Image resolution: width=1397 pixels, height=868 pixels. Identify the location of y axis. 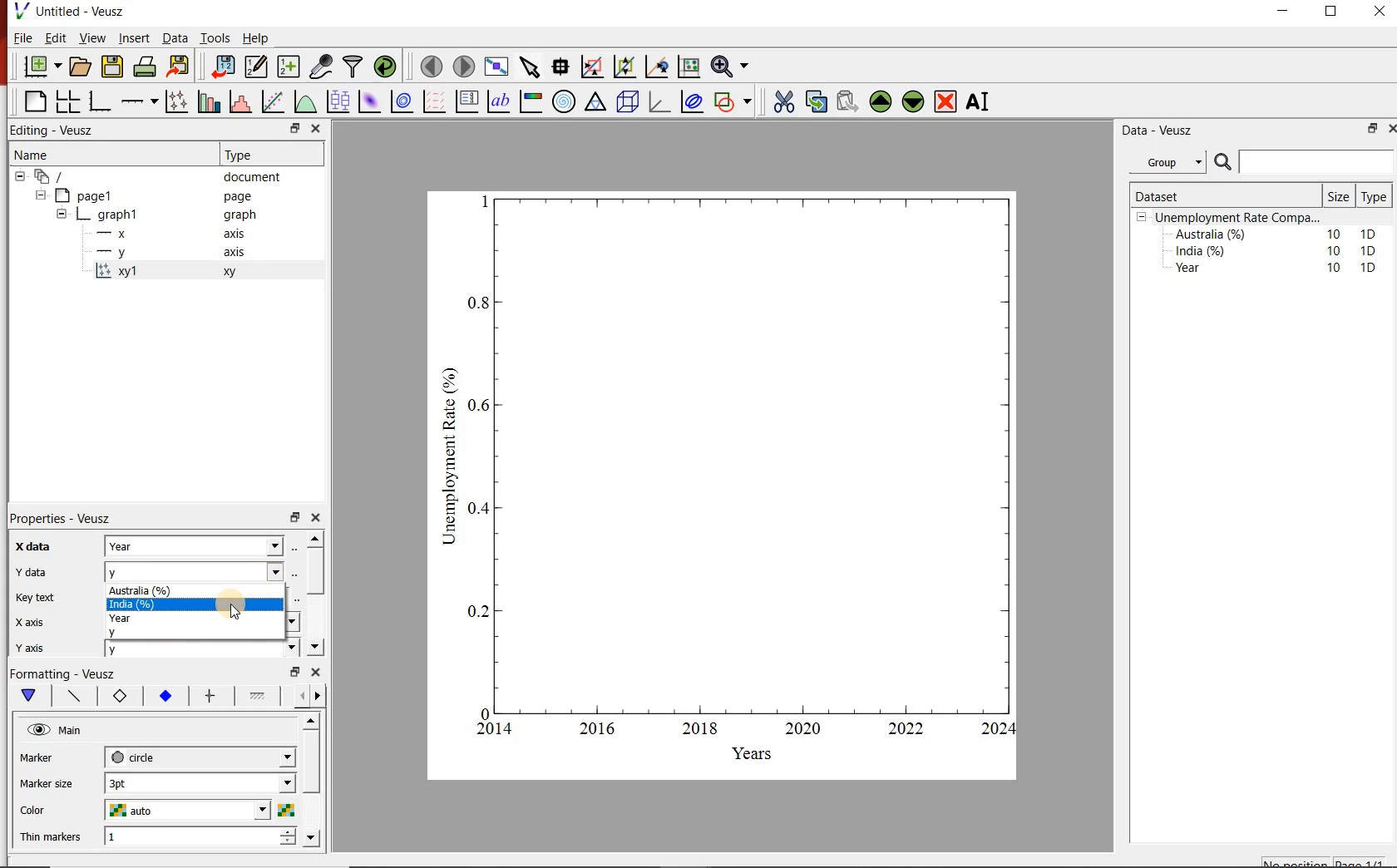
(180, 253).